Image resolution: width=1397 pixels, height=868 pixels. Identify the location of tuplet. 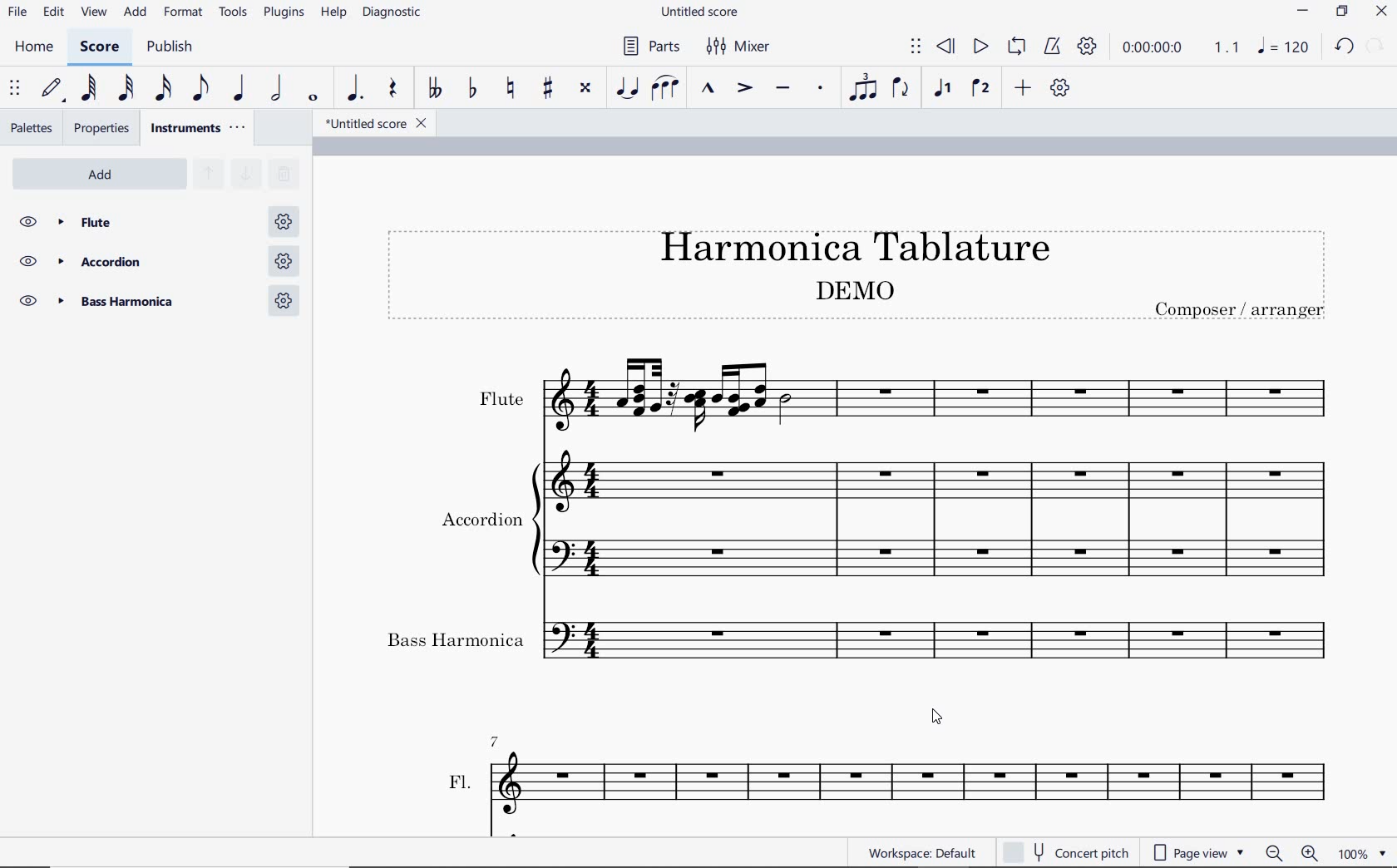
(864, 88).